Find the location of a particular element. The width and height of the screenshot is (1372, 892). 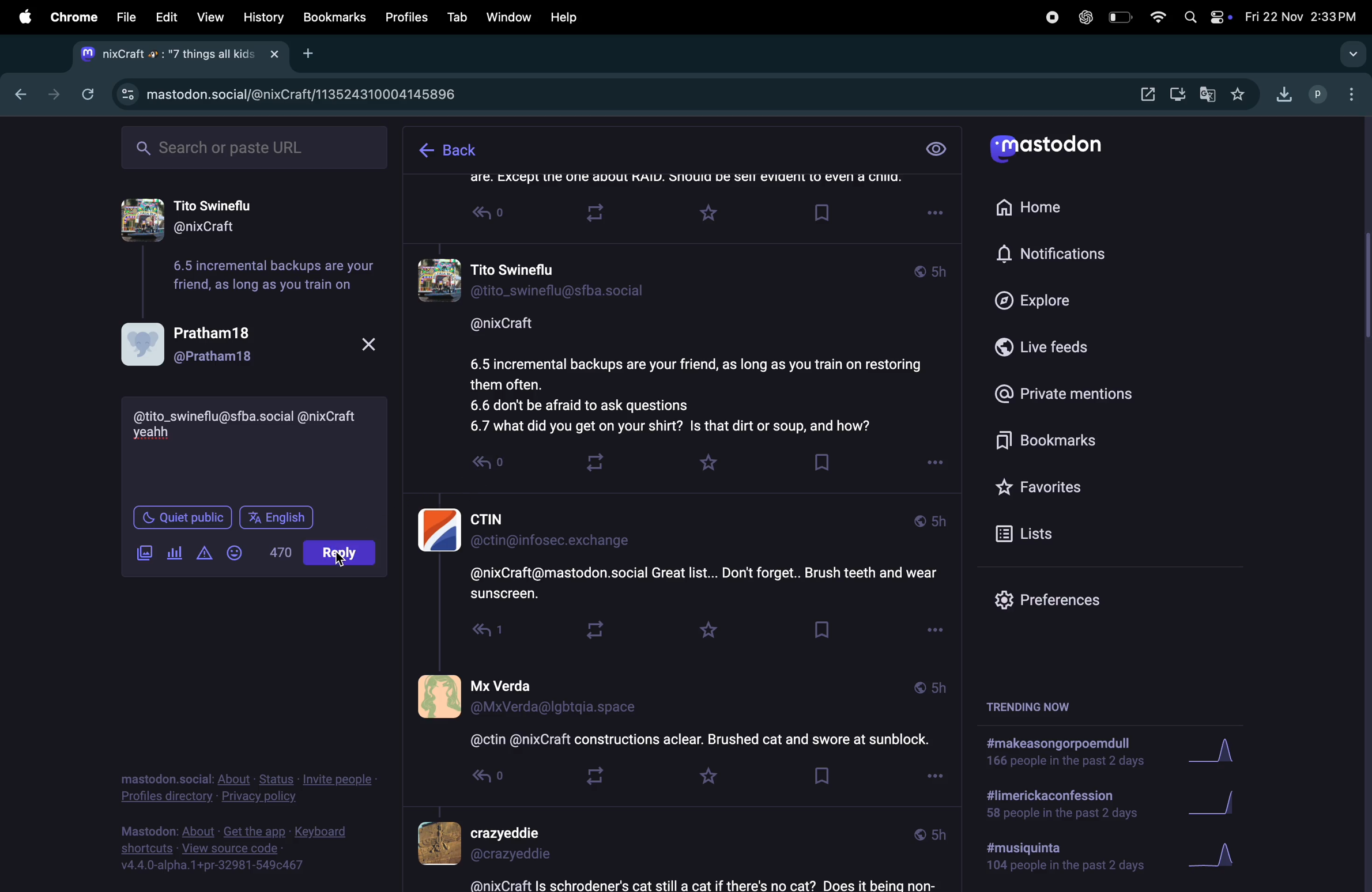

#musiquinta
104 people in the past 2 days is located at coordinates (1059, 860).